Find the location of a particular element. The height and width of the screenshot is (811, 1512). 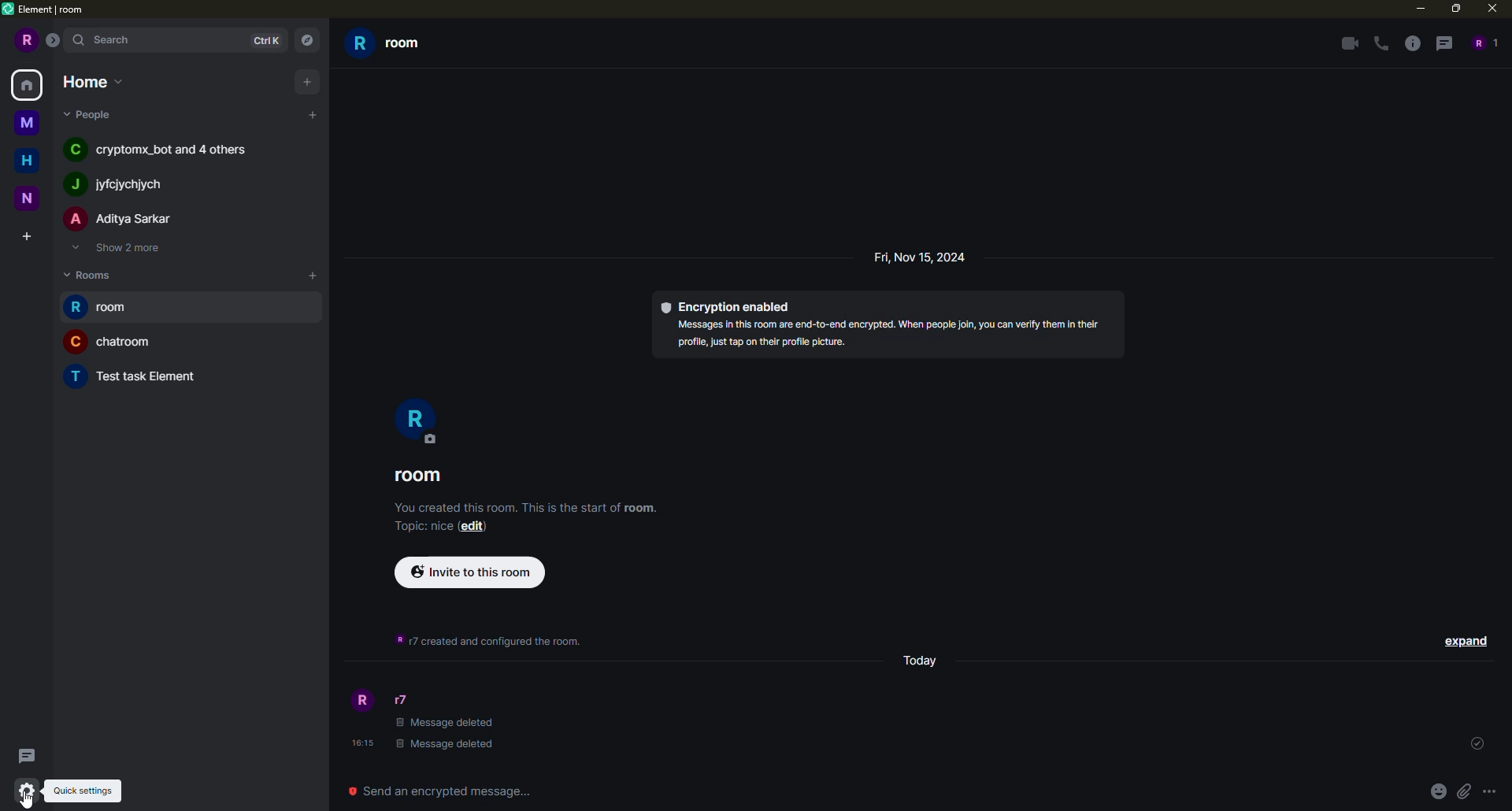

threads is located at coordinates (24, 756).